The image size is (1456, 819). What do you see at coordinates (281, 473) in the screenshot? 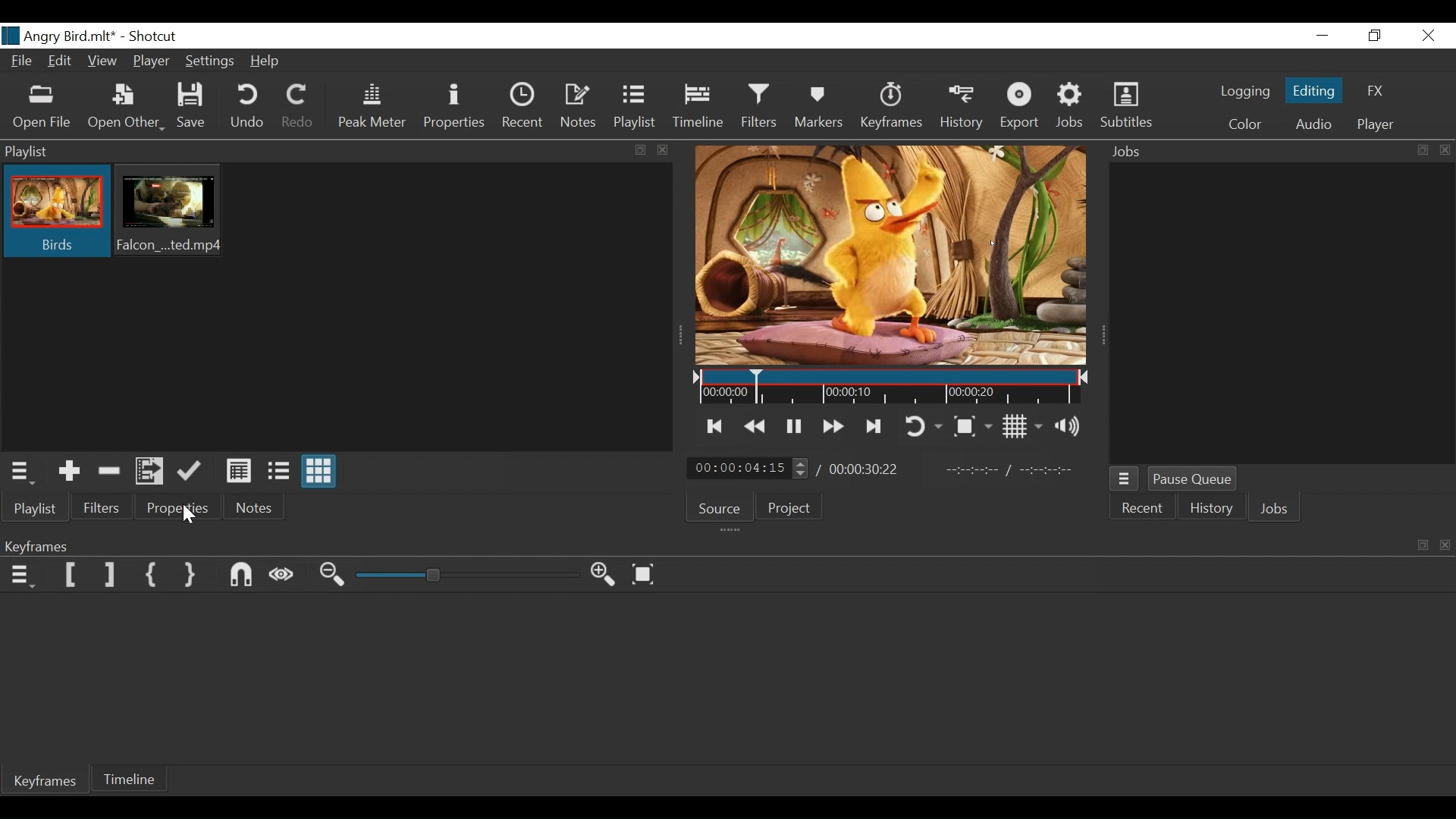
I see `View as files` at bounding box center [281, 473].